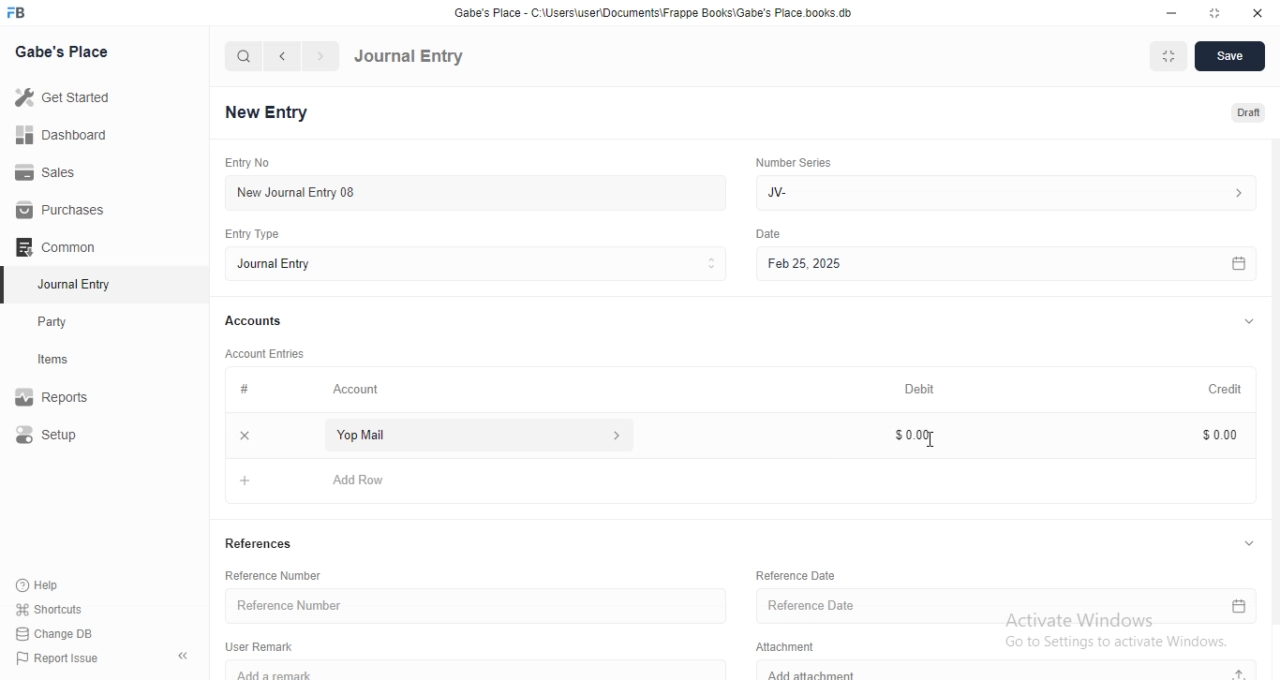 The width and height of the screenshot is (1280, 680). What do you see at coordinates (183, 657) in the screenshot?
I see `collapse sidebar` at bounding box center [183, 657].